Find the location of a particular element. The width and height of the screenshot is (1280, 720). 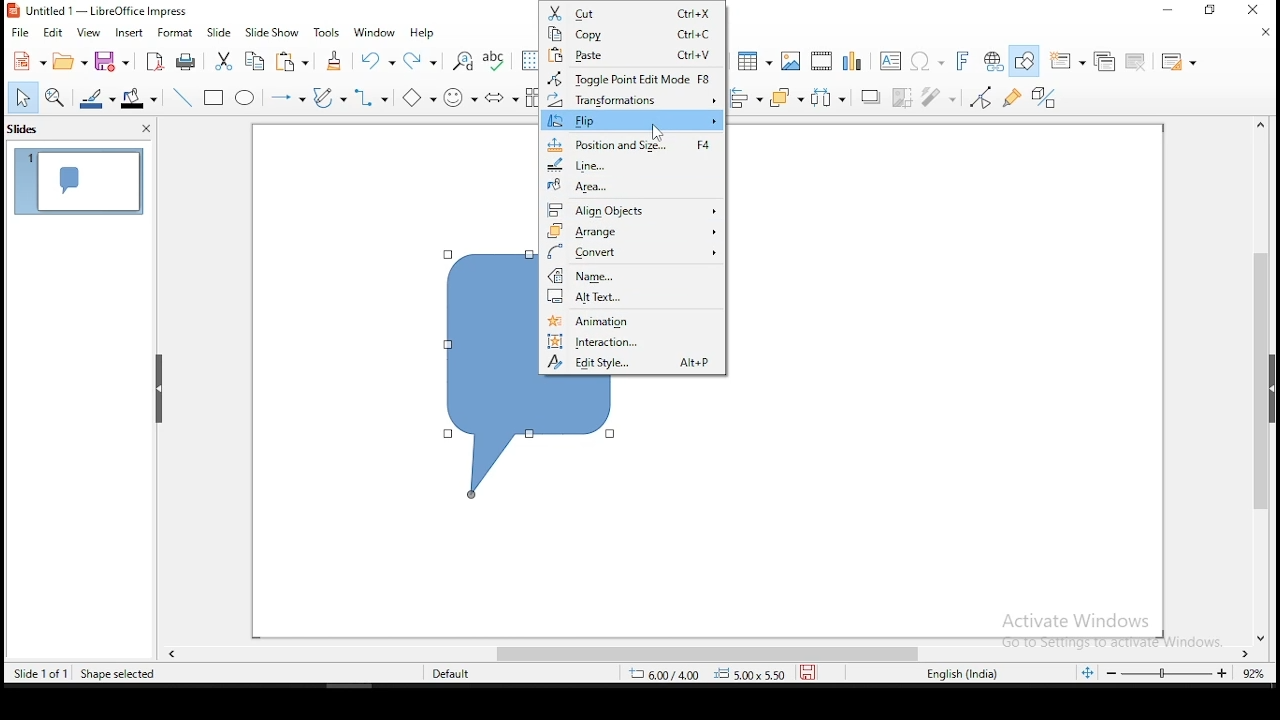

minimize is located at coordinates (1213, 11).